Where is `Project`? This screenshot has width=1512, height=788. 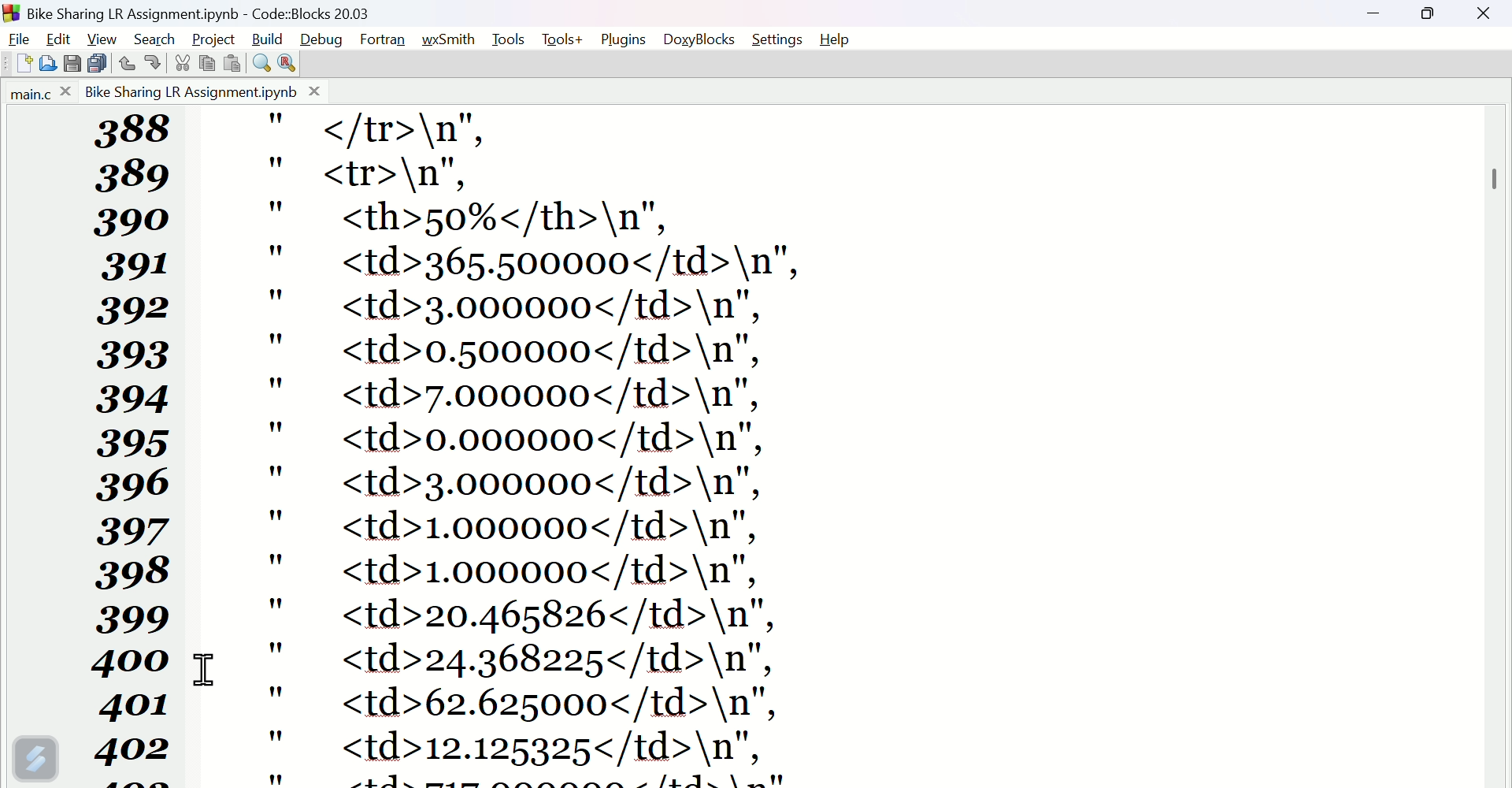
Project is located at coordinates (217, 38).